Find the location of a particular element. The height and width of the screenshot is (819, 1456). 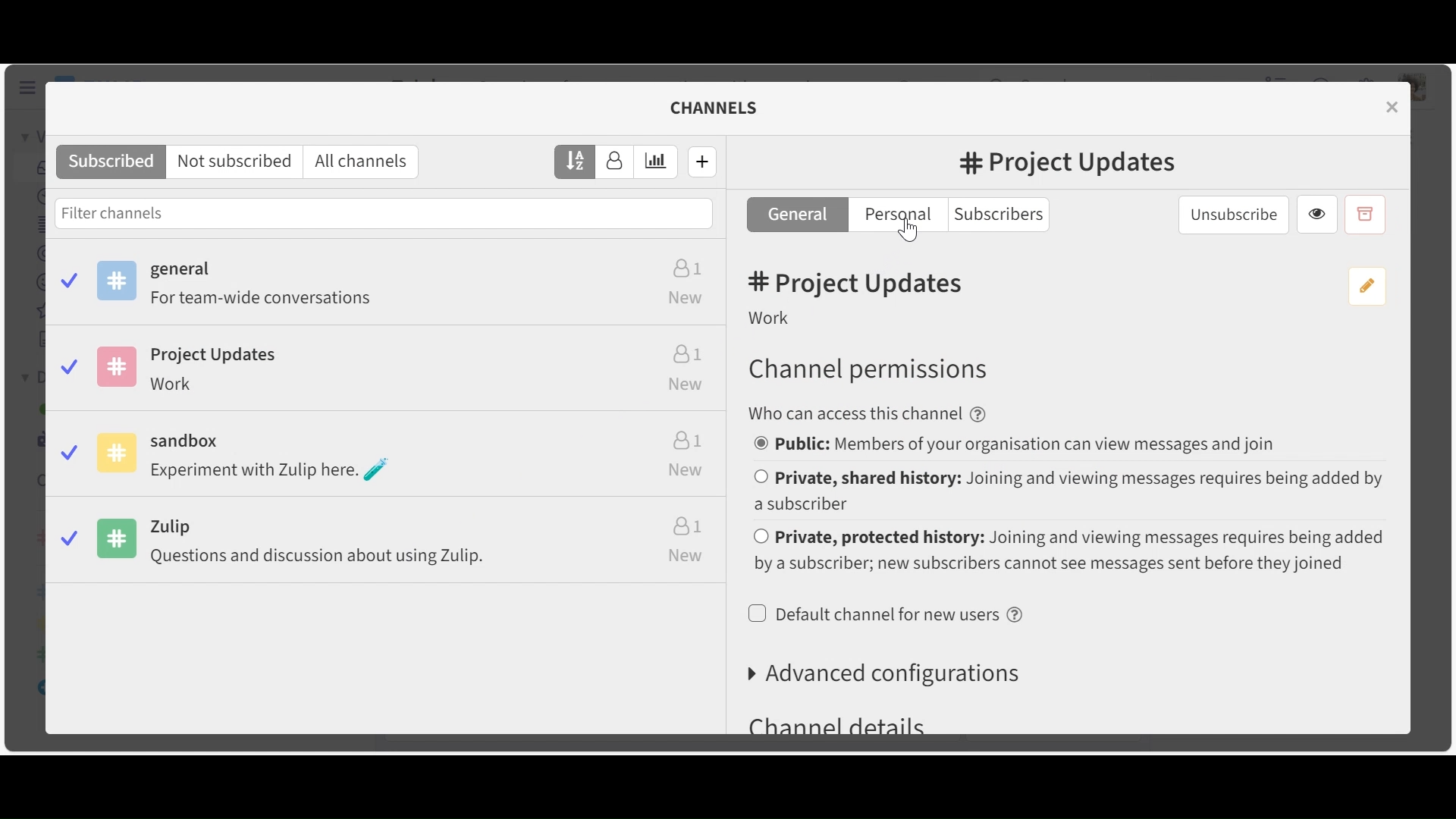

Cursor is located at coordinates (910, 234).